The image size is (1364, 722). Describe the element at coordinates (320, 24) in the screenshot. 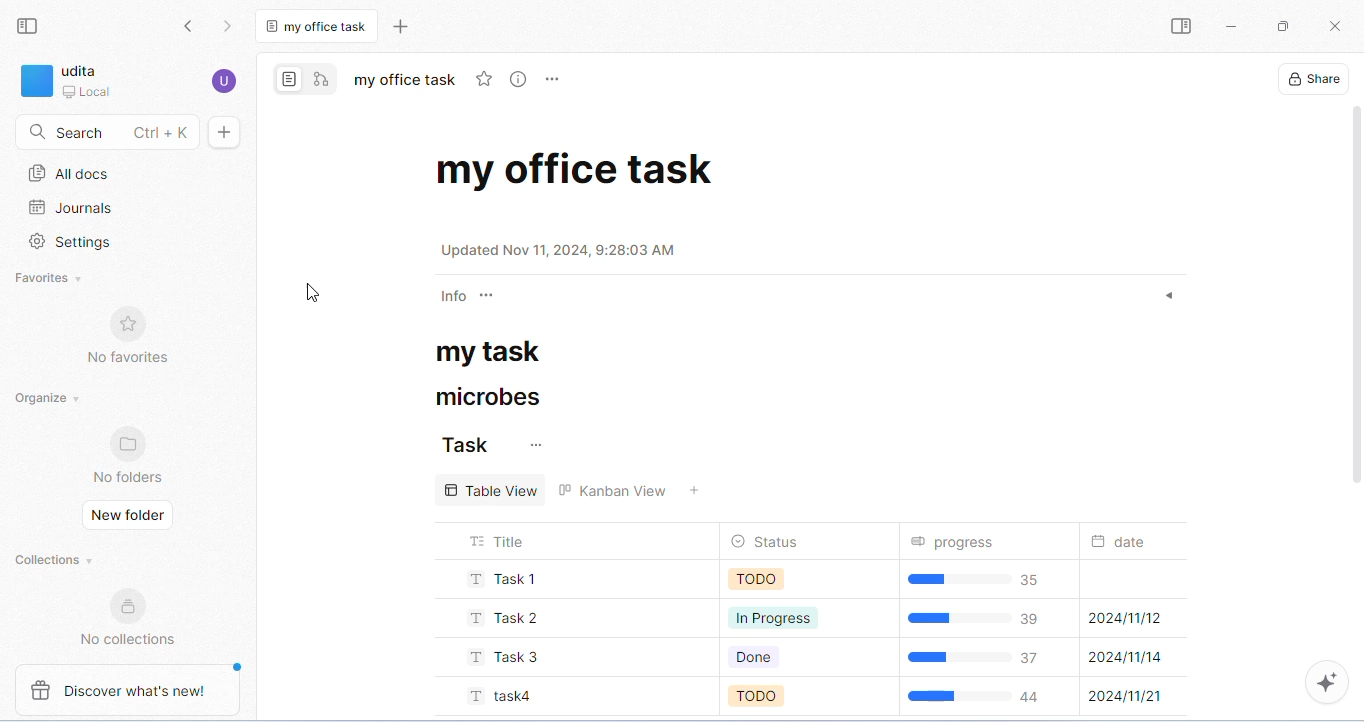

I see `tab name` at that location.